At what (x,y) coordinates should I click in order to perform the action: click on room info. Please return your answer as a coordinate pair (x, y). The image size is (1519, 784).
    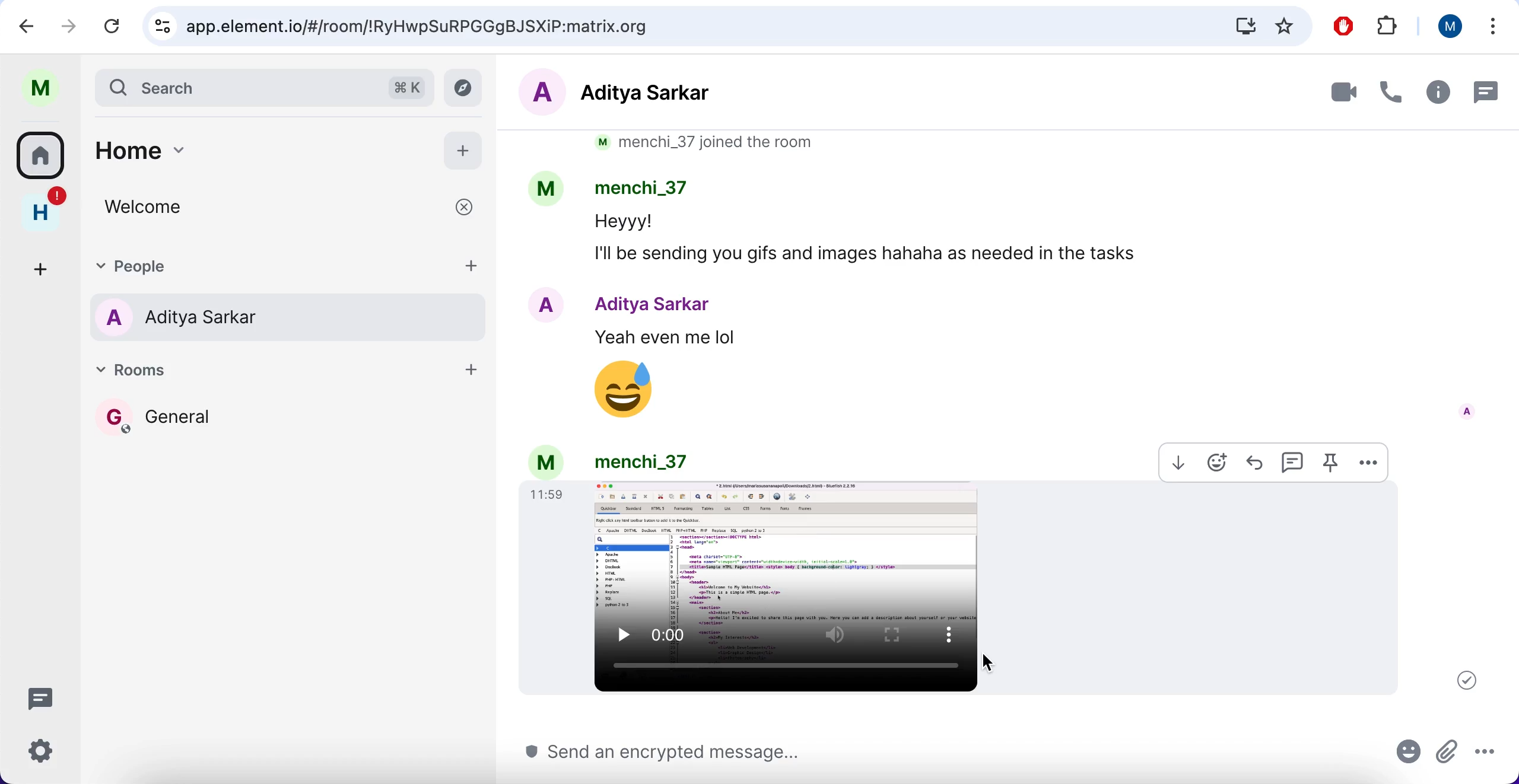
    Looking at the image, I should click on (1435, 95).